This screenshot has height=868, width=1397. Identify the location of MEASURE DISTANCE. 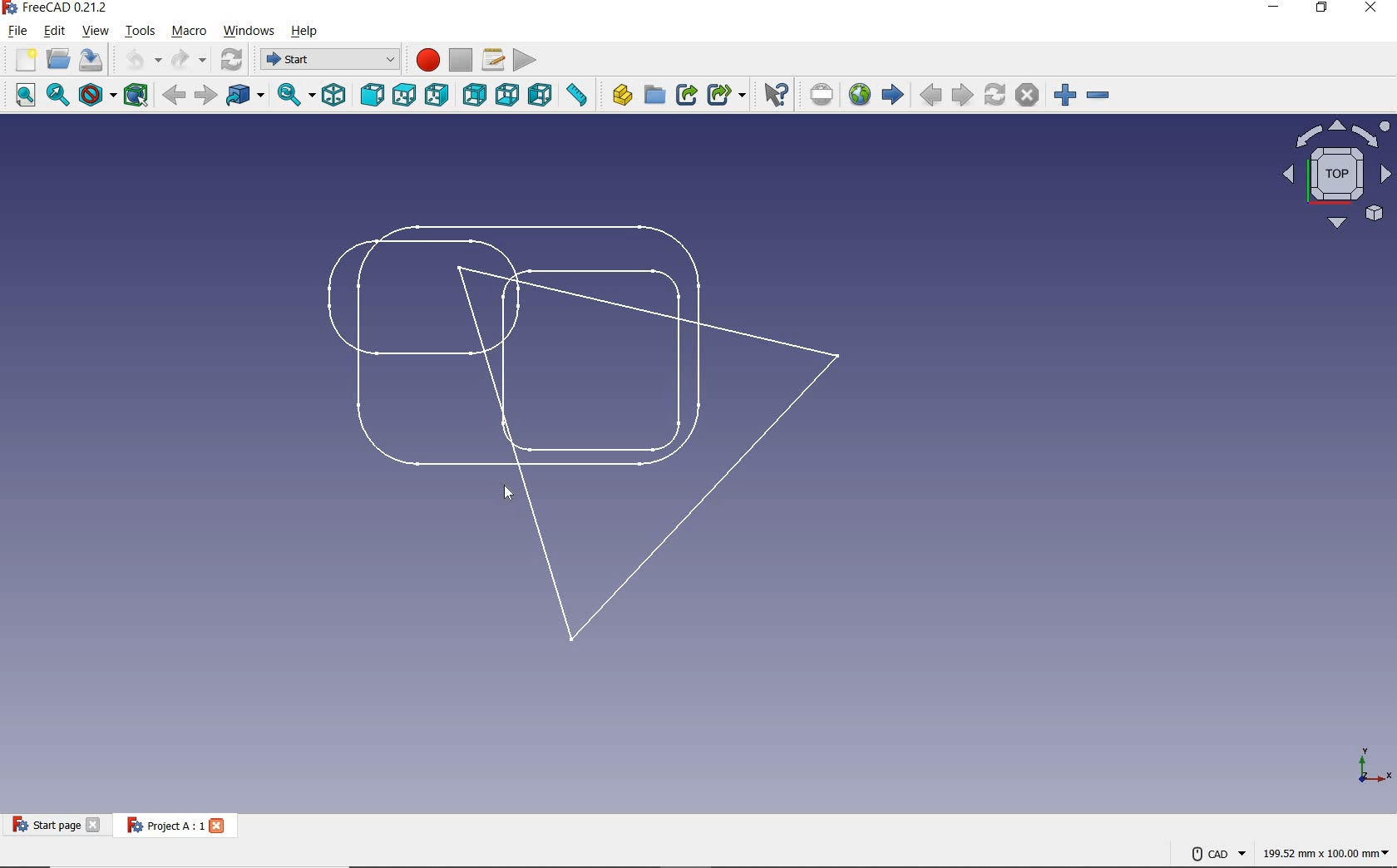
(580, 93).